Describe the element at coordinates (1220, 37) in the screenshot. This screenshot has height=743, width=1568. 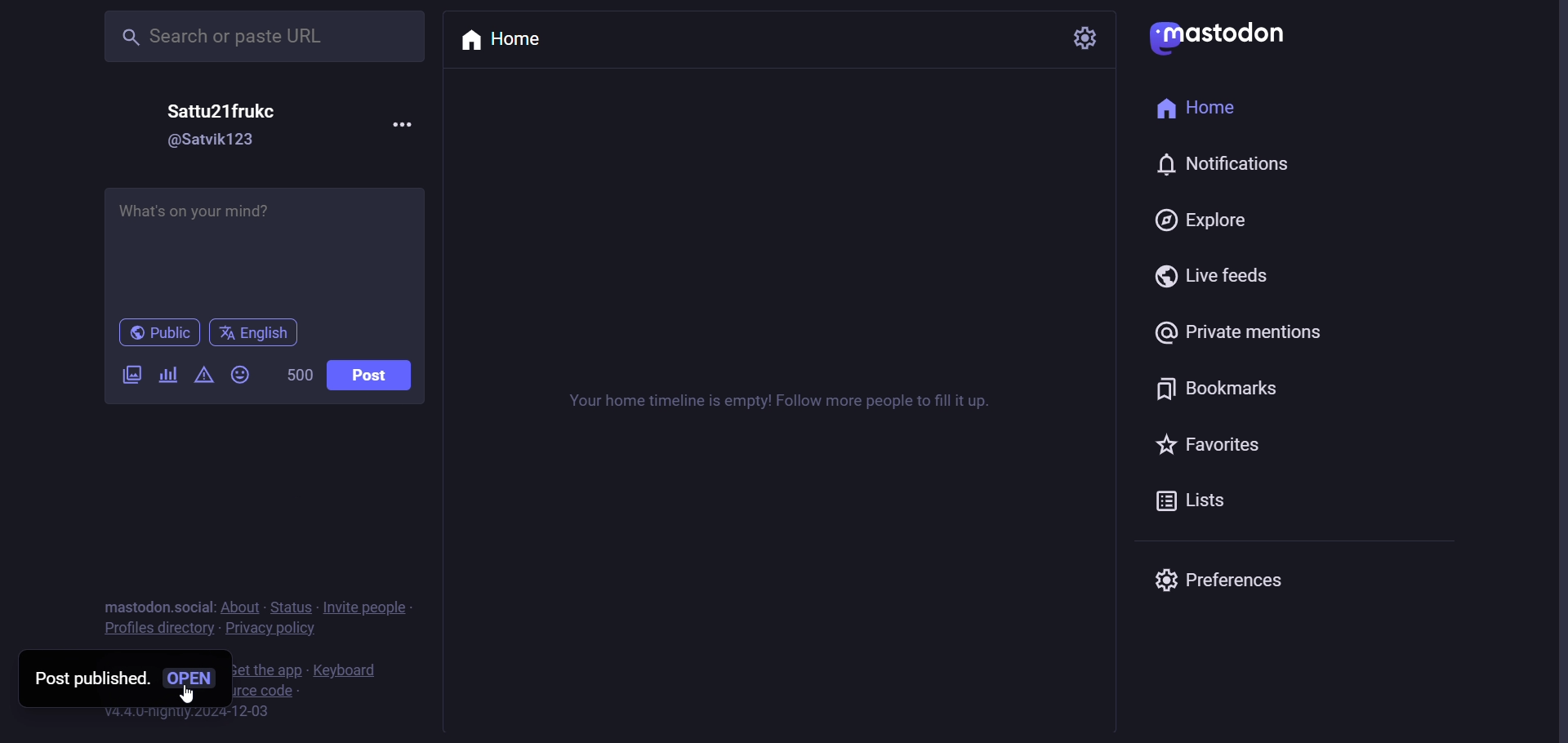
I see `mastodon` at that location.